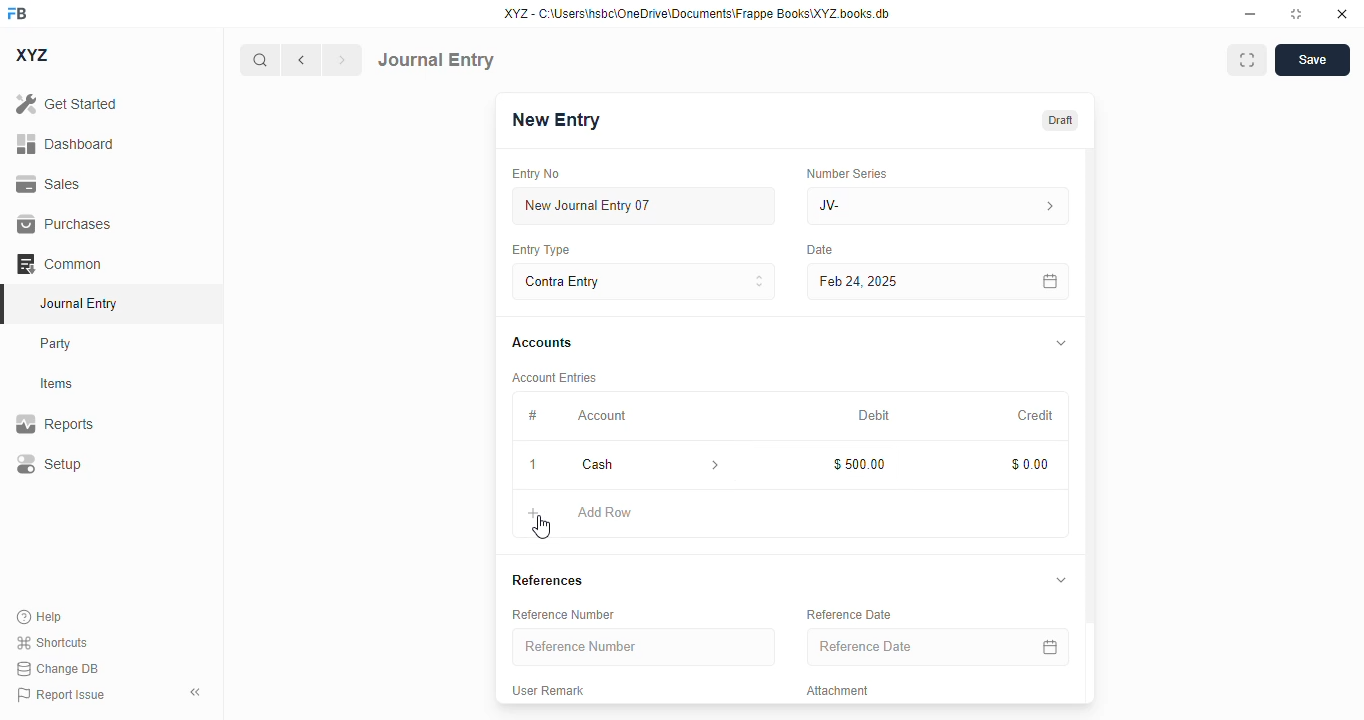 This screenshot has height=720, width=1364. What do you see at coordinates (542, 344) in the screenshot?
I see `accounts` at bounding box center [542, 344].